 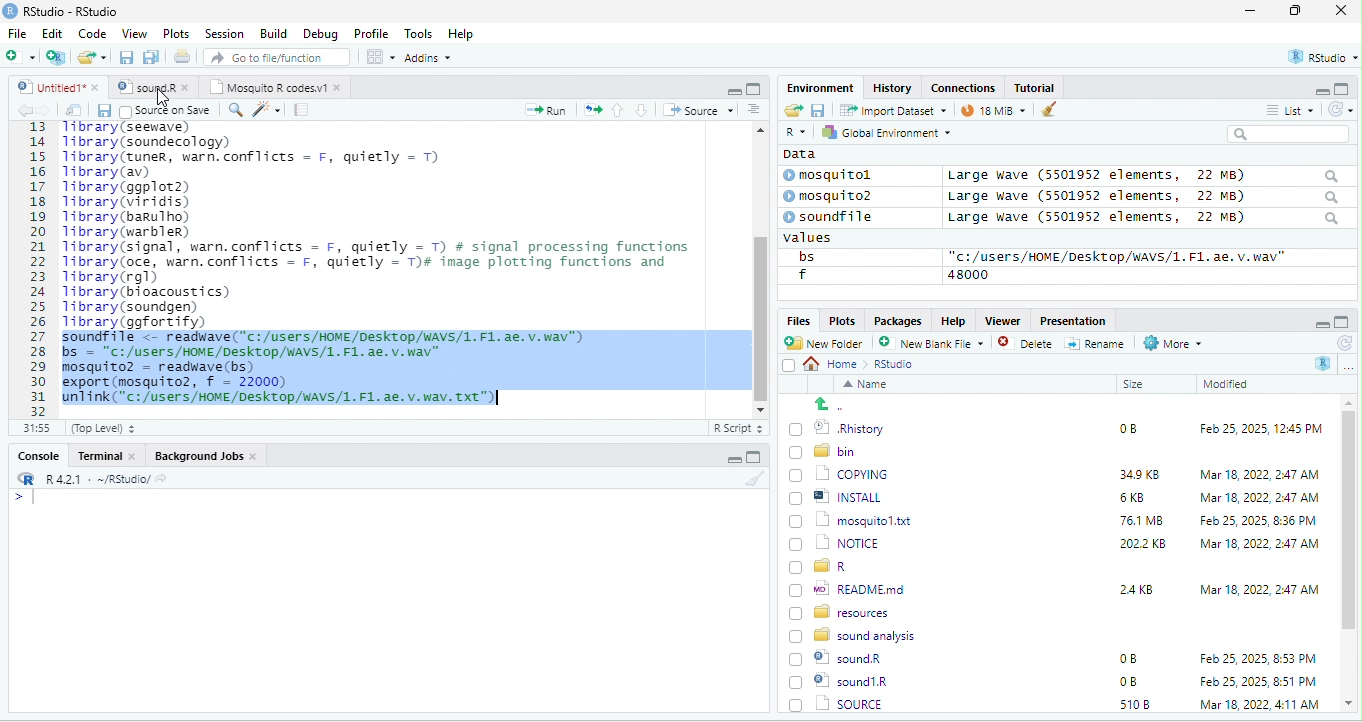 I want to click on brush, so click(x=757, y=479).